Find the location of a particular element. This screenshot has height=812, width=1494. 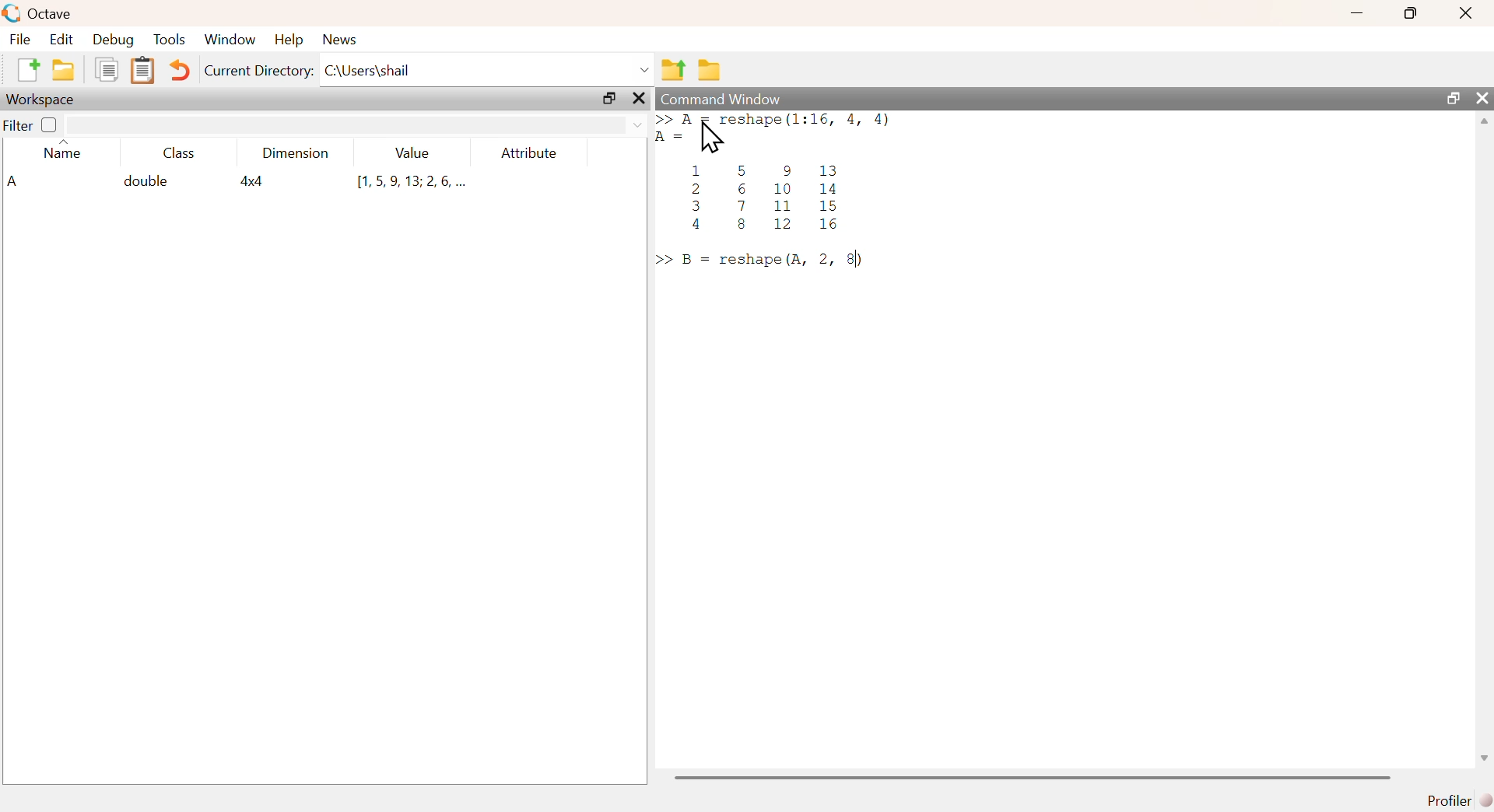

1,5,9,13;2,6, .. is located at coordinates (412, 181).